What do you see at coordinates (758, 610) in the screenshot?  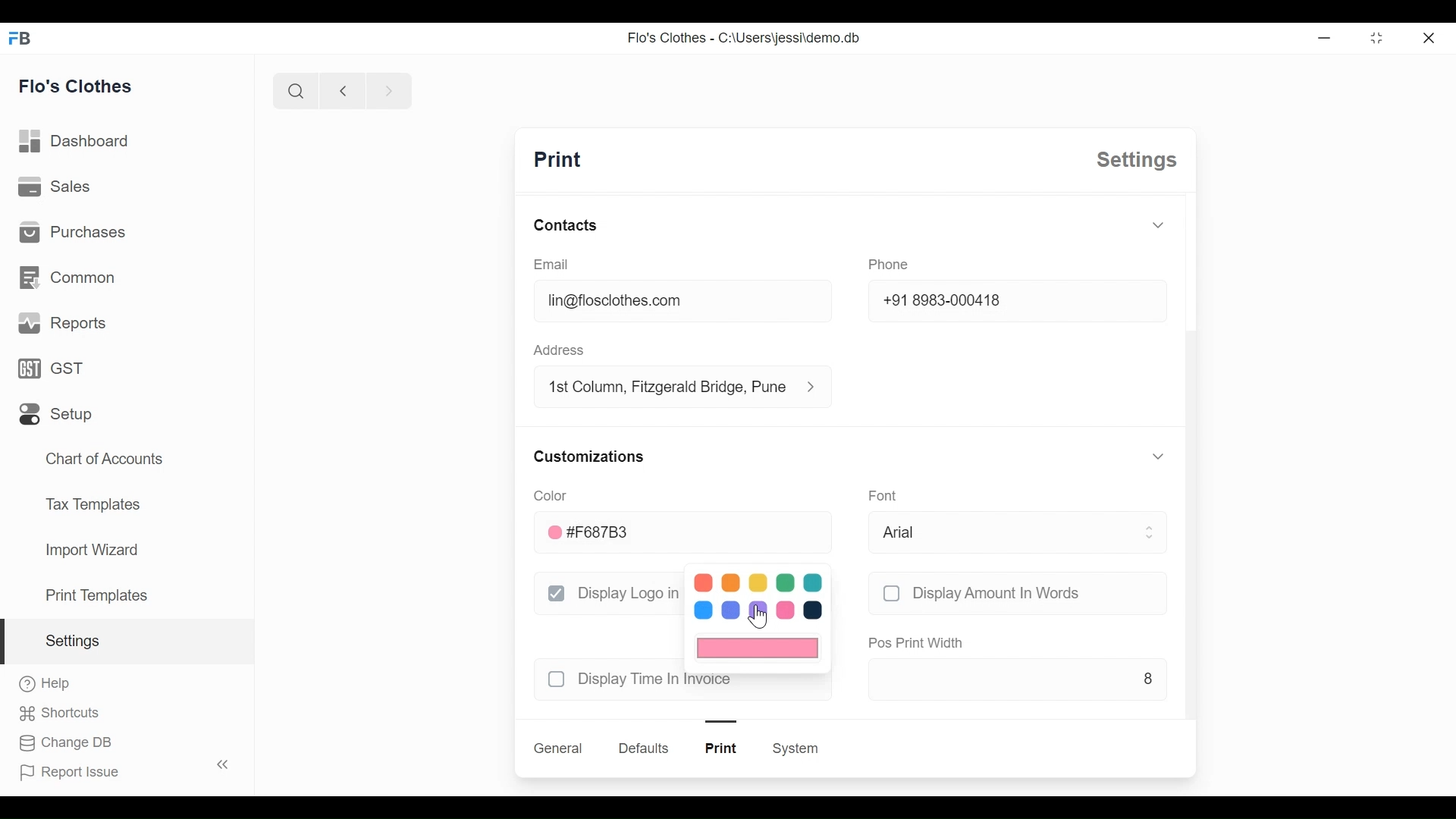 I see `color 8` at bounding box center [758, 610].